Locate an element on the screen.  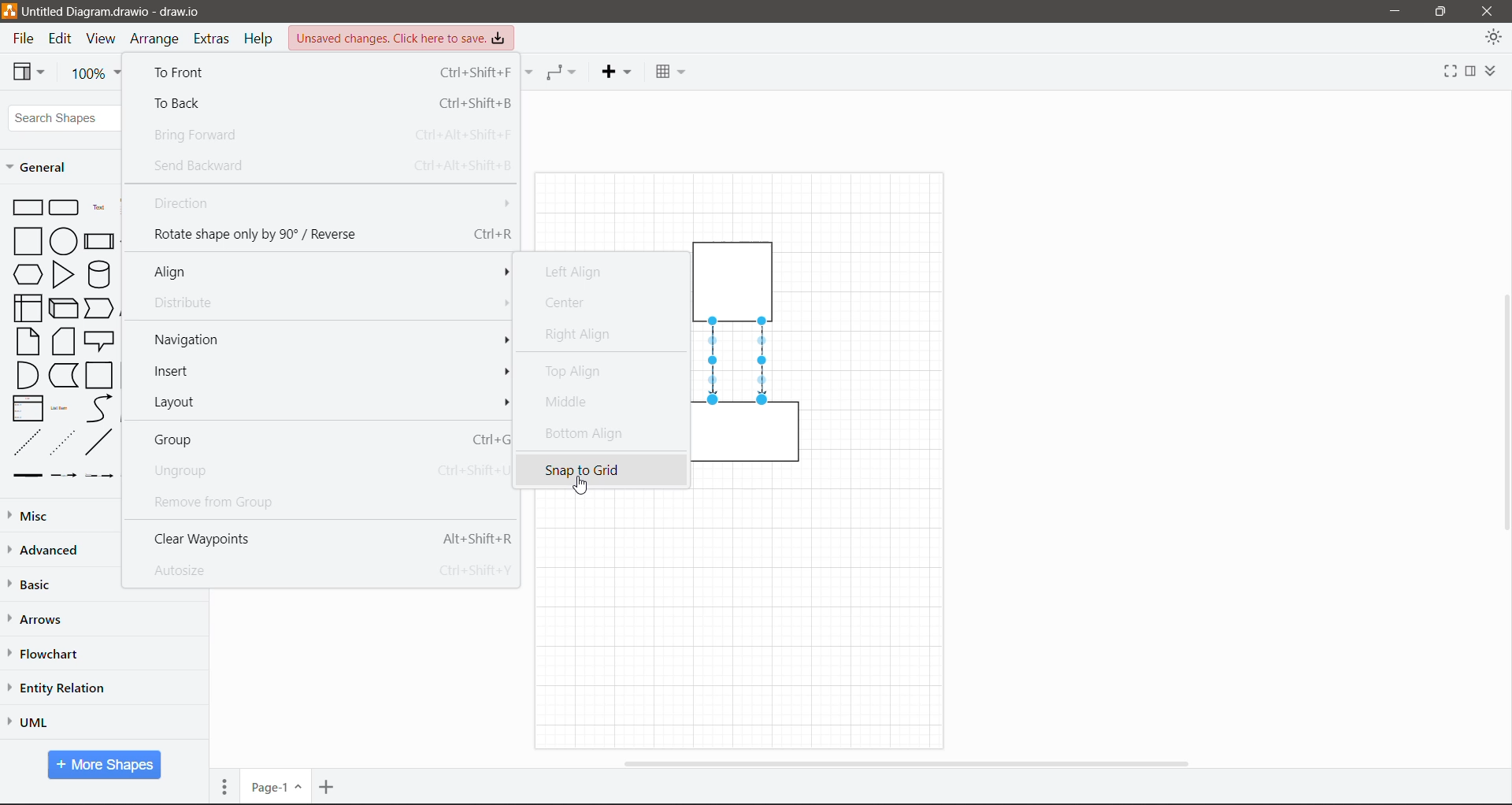
dashed line is located at coordinates (28, 442).